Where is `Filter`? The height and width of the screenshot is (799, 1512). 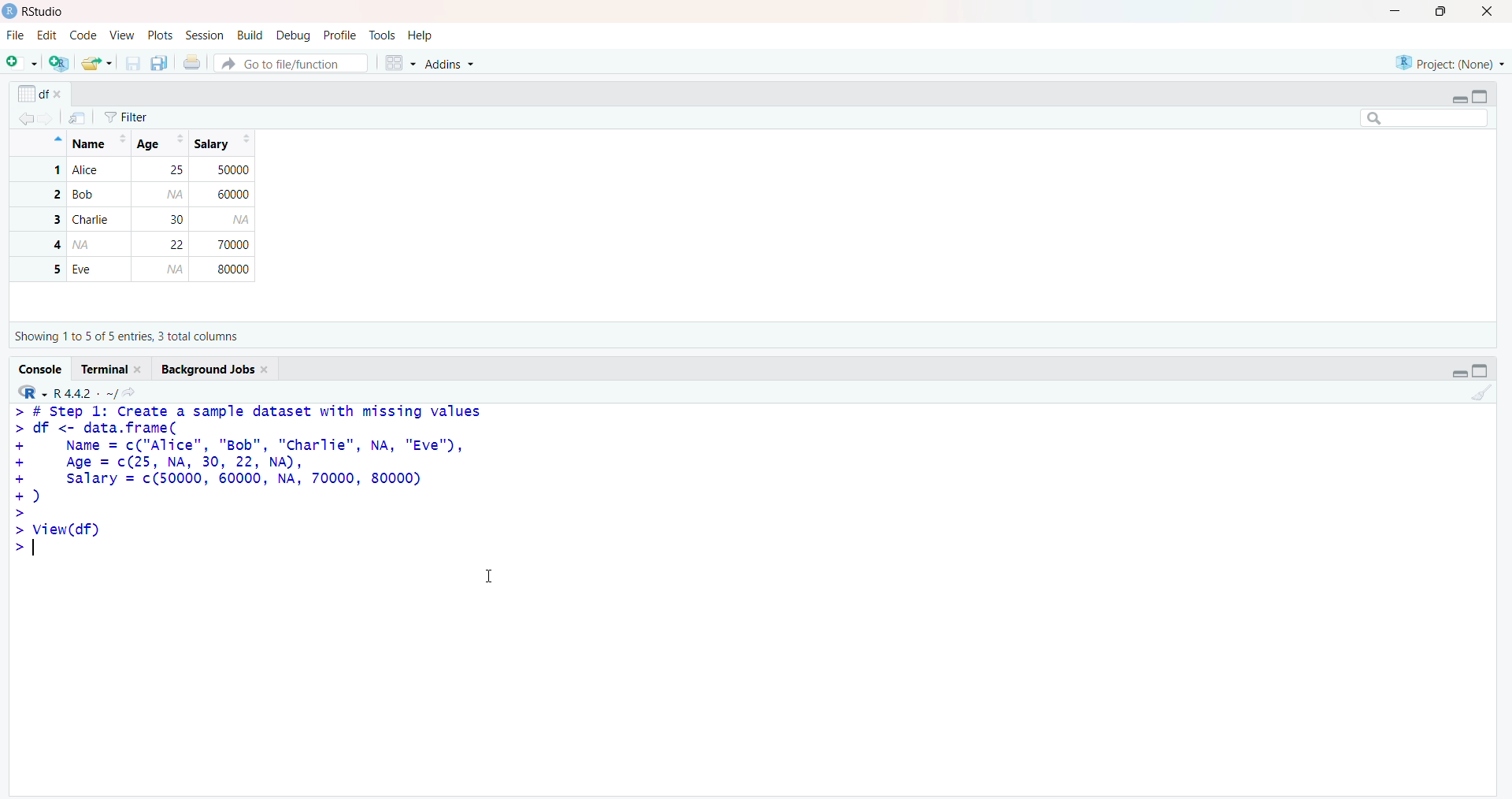
Filter is located at coordinates (142, 114).